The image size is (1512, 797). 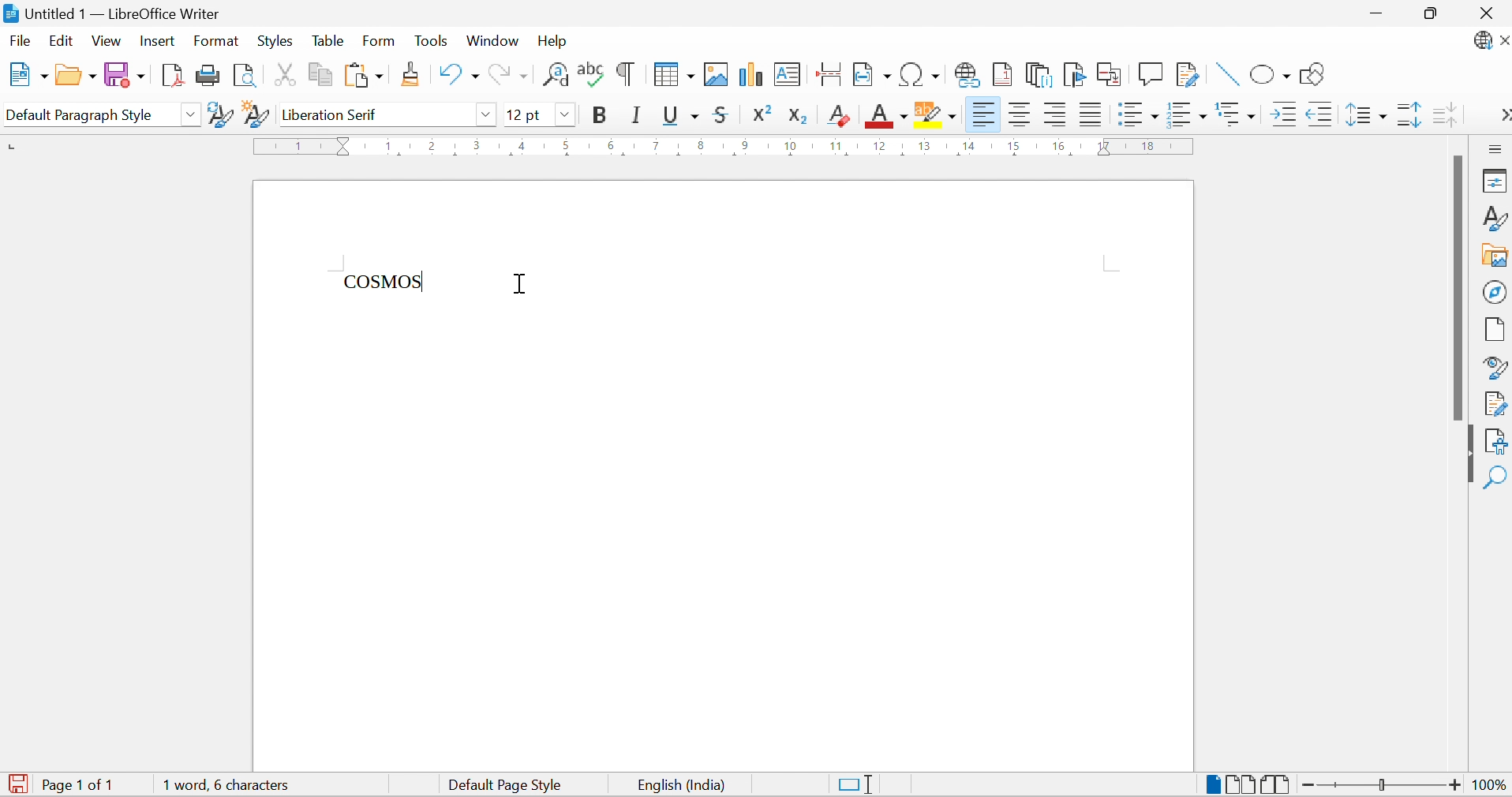 What do you see at coordinates (429, 39) in the screenshot?
I see `Tools` at bounding box center [429, 39].